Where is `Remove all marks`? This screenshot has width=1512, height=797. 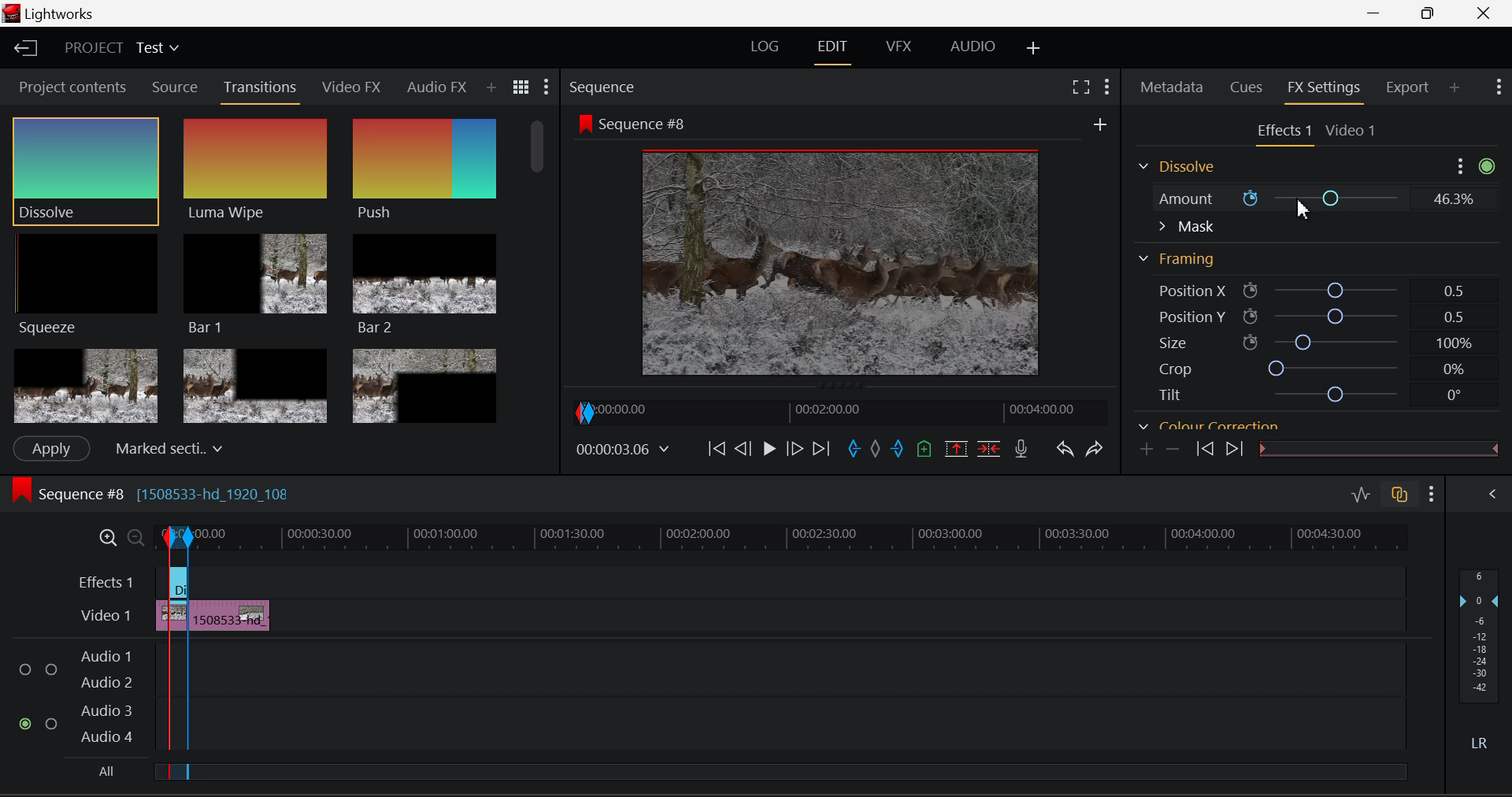
Remove all marks is located at coordinates (875, 451).